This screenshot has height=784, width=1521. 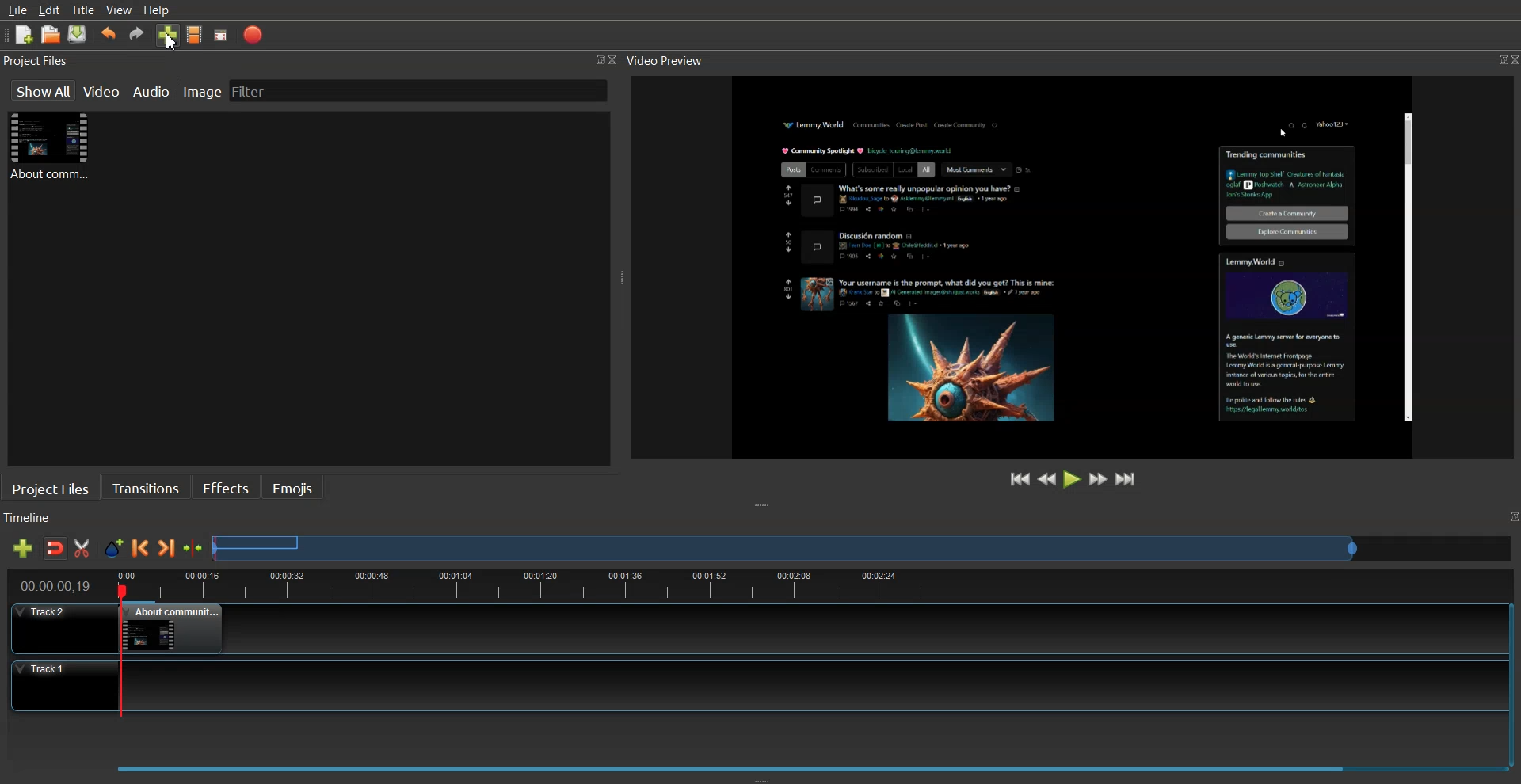 I want to click on Close, so click(x=1511, y=59).